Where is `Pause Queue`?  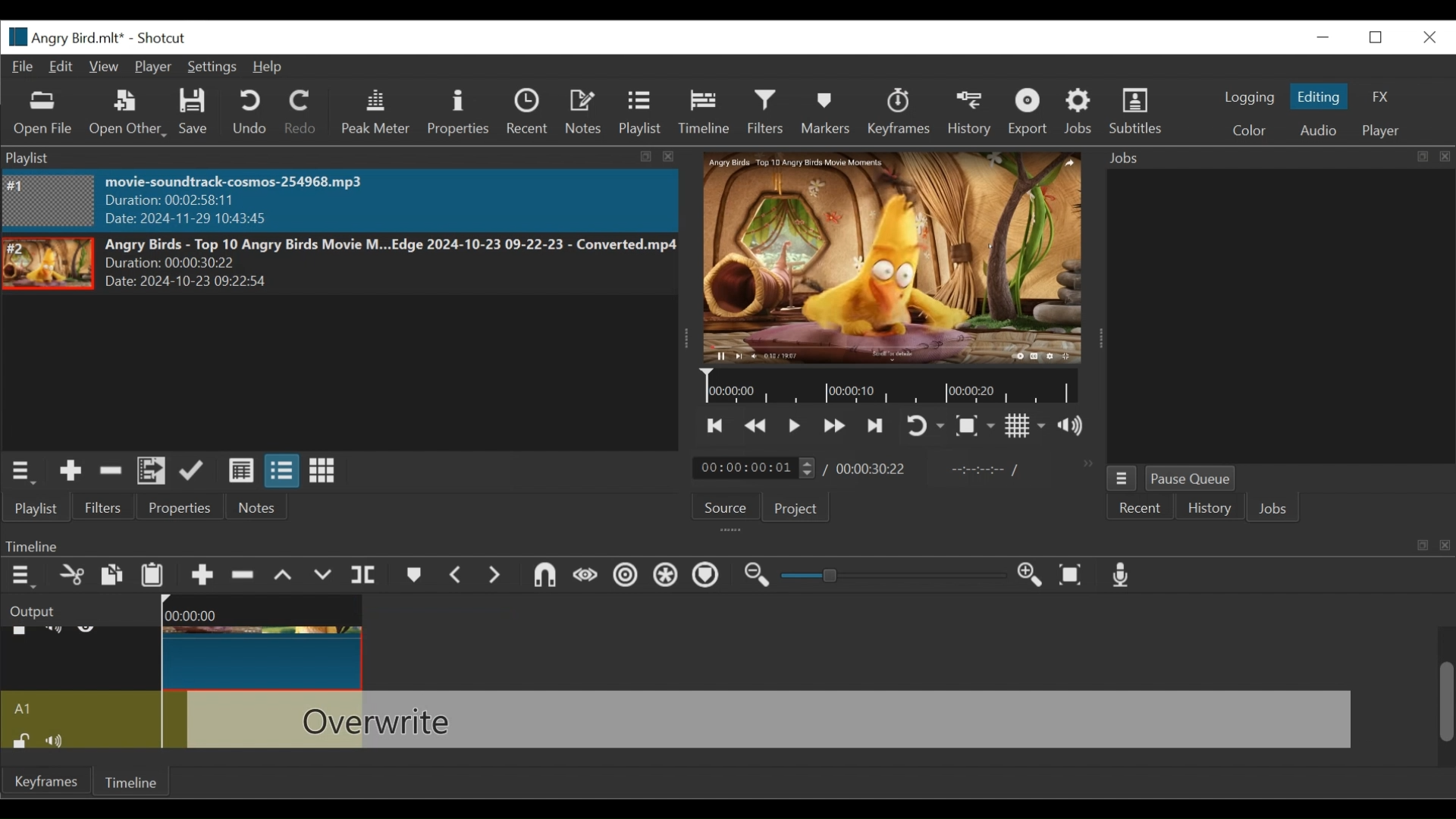
Pause Queue is located at coordinates (1195, 479).